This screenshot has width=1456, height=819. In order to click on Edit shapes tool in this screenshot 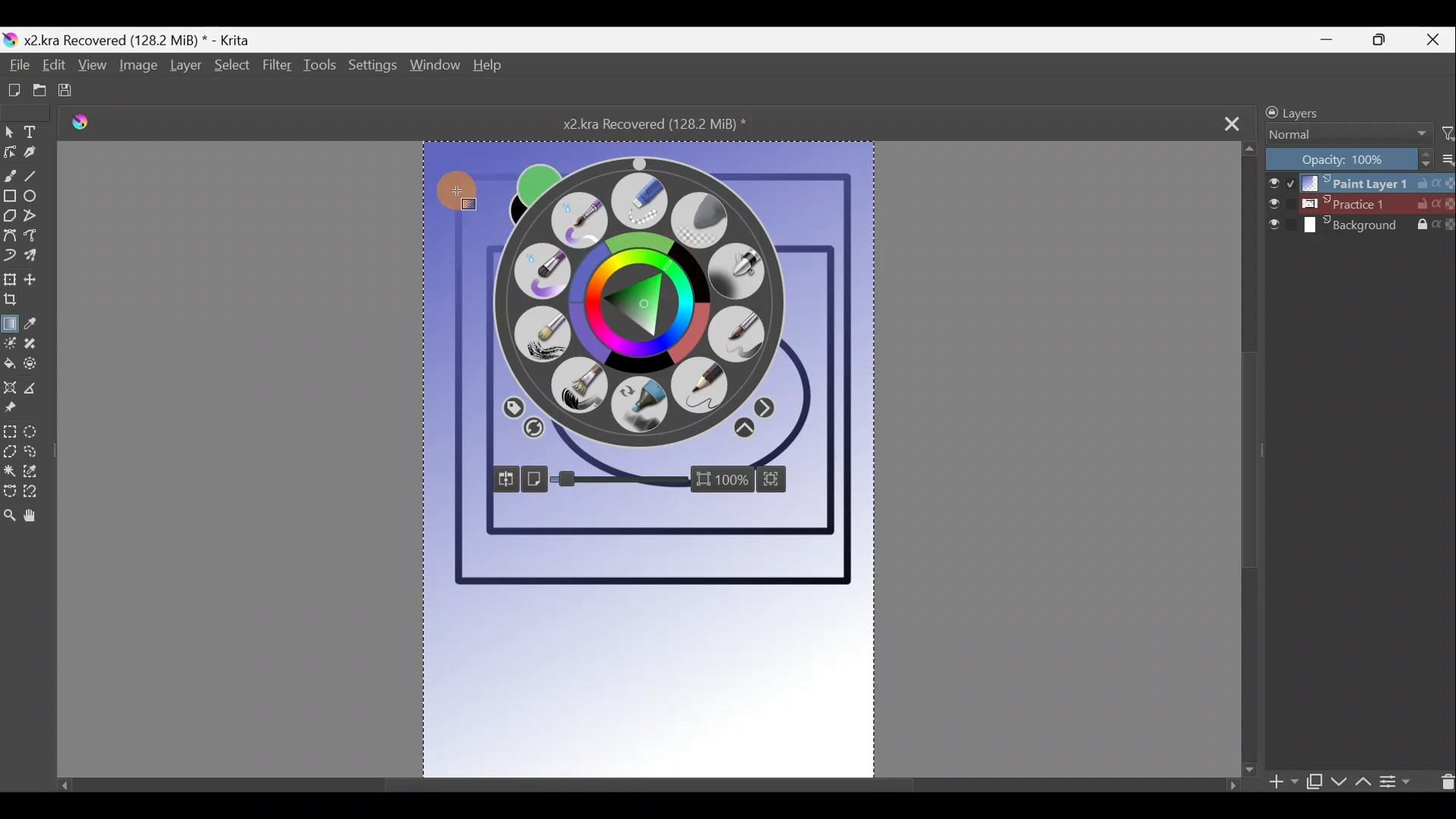, I will do `click(9, 154)`.